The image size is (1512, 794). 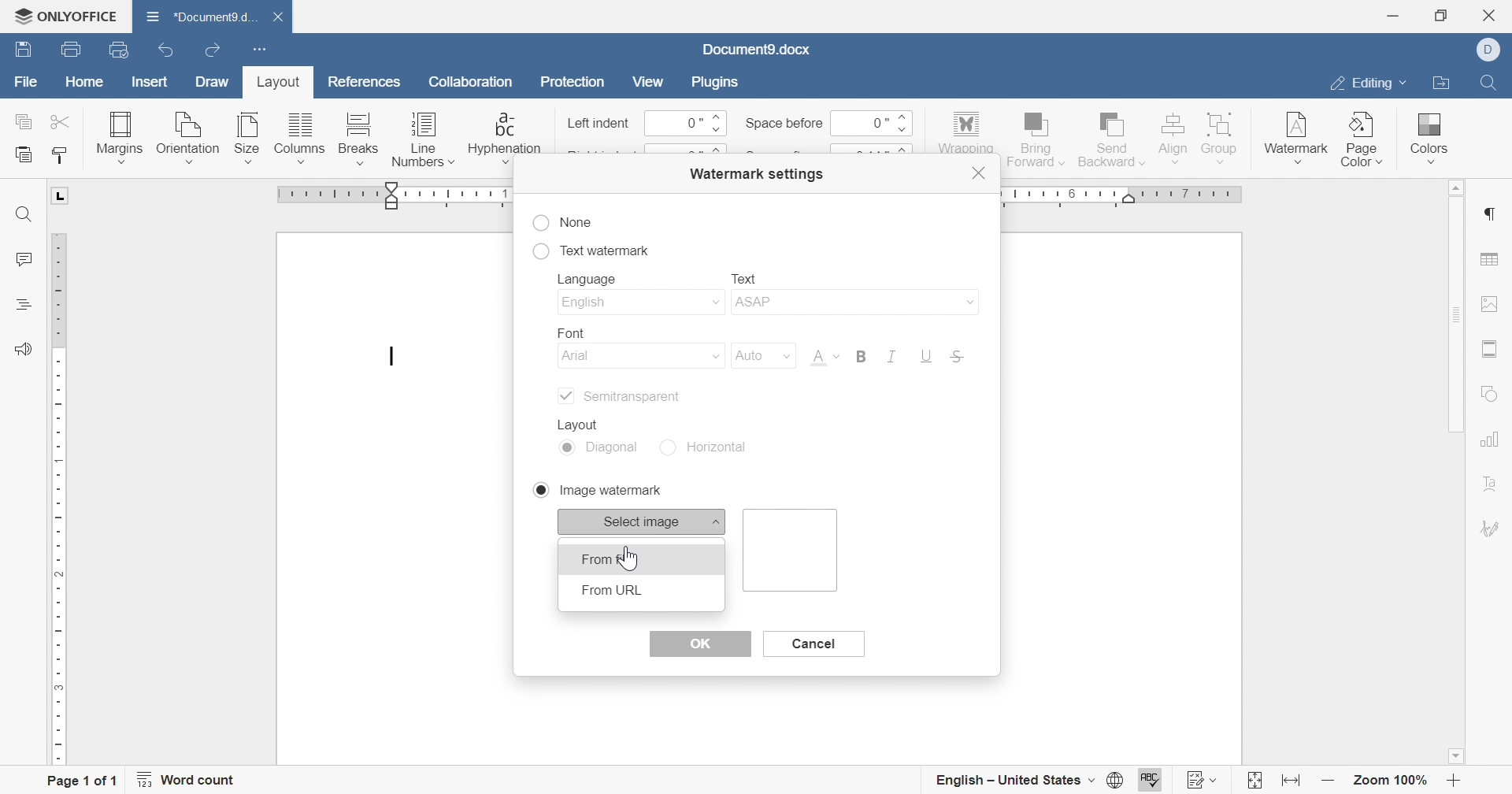 I want to click on document name, so click(x=755, y=50).